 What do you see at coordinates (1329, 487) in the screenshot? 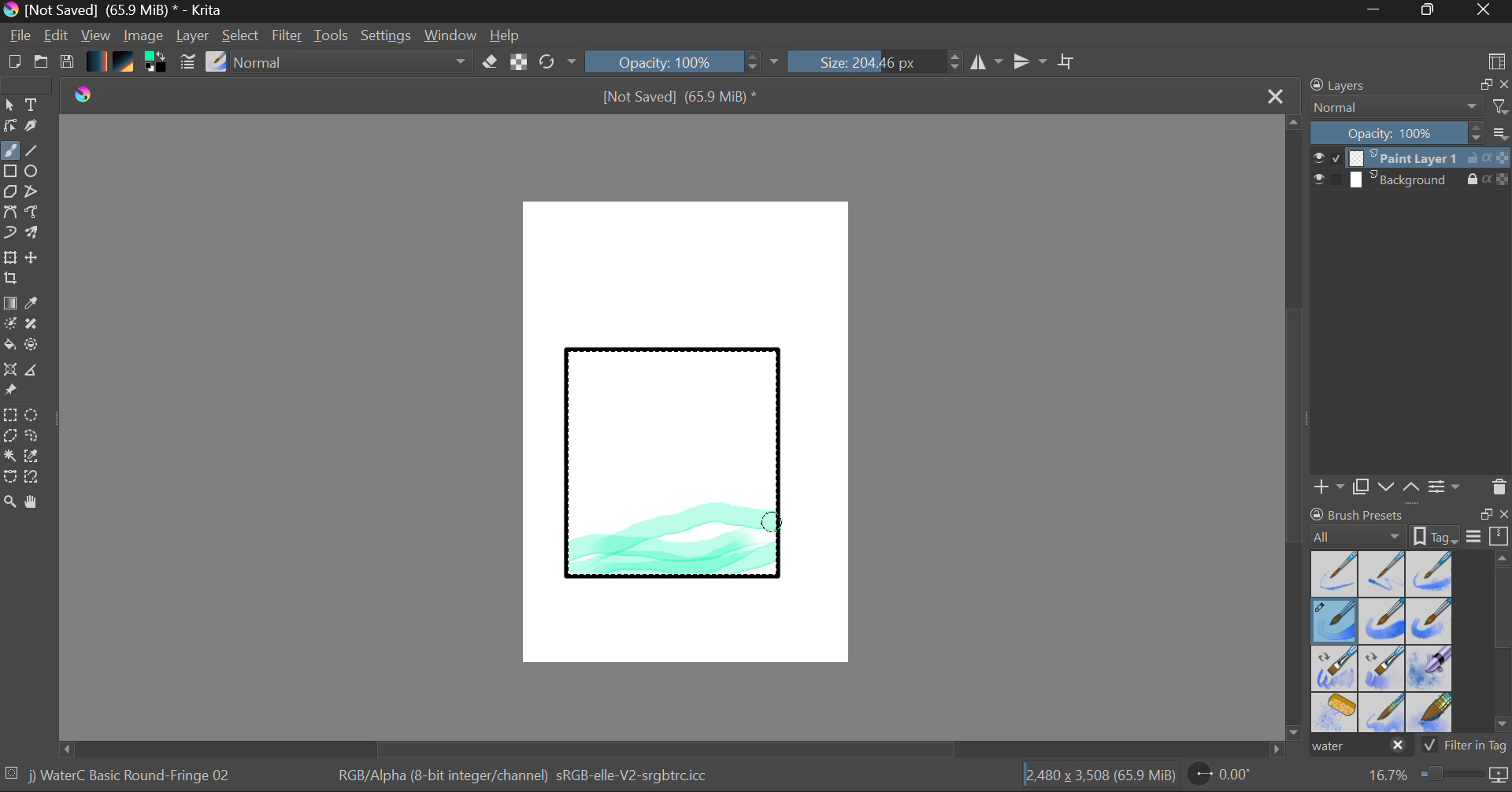
I see `Add Layer` at bounding box center [1329, 487].